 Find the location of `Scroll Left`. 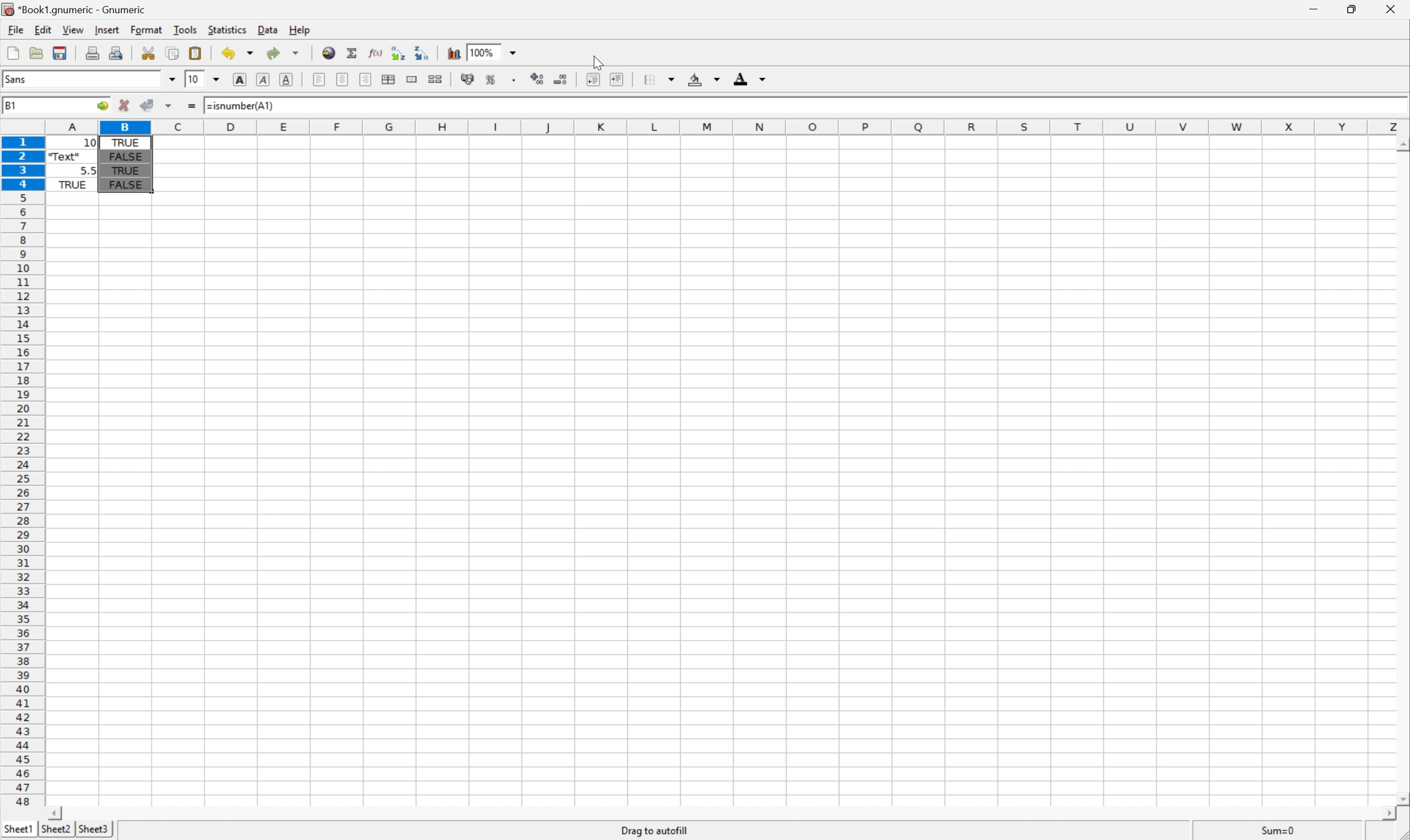

Scroll Left is located at coordinates (54, 813).